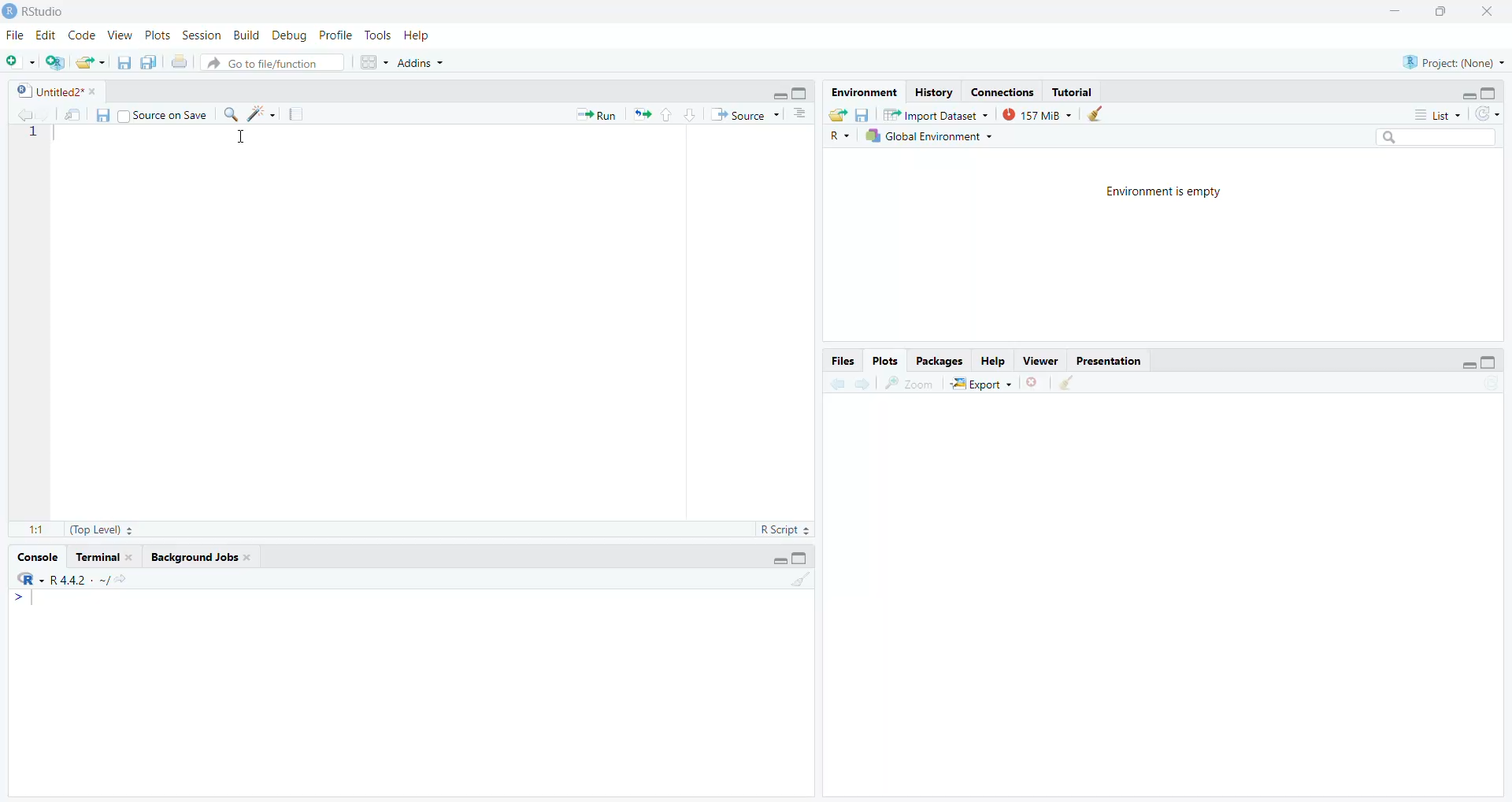  I want to click on maximize, so click(1443, 12).